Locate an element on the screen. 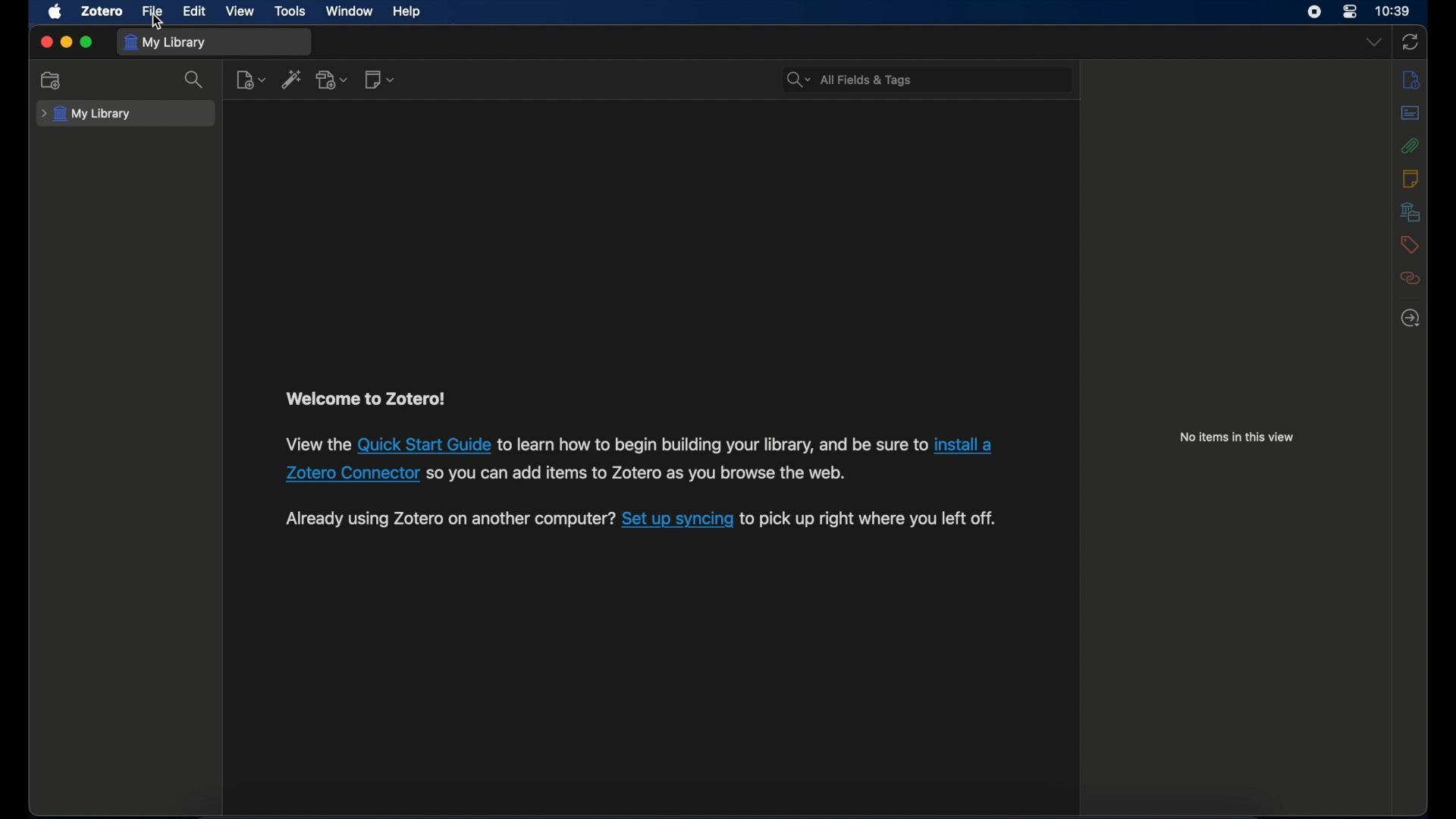 This screenshot has height=819, width=1456. Quick start guide is located at coordinates (425, 444).